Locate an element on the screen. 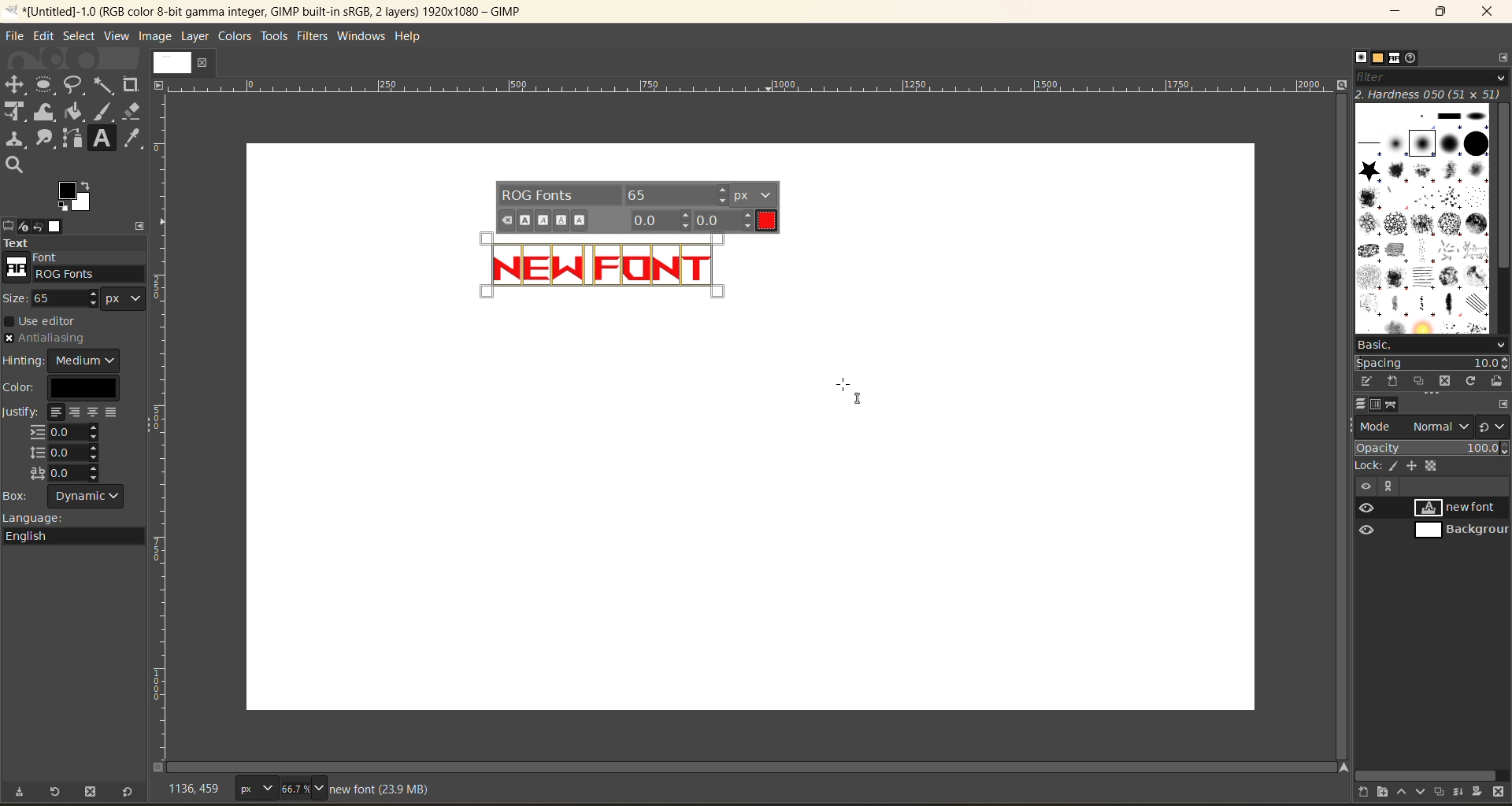  hinting is located at coordinates (64, 360).